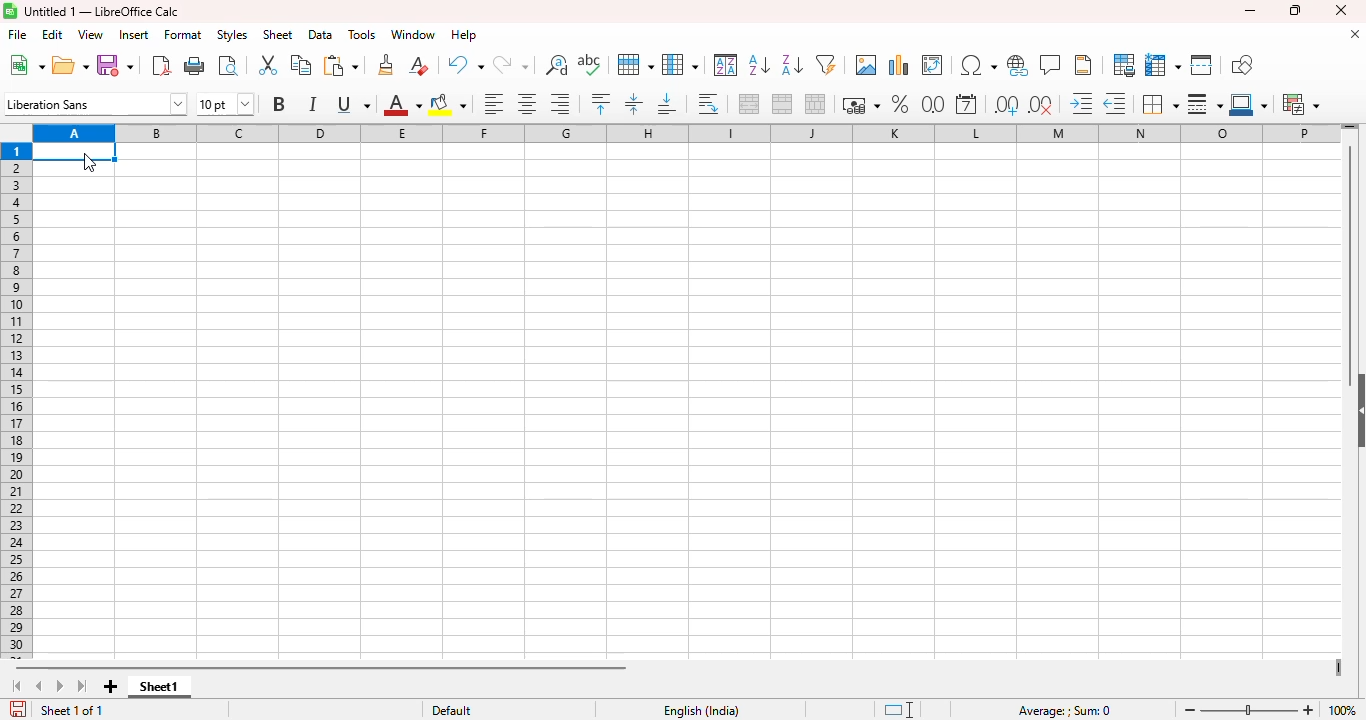 Image resolution: width=1366 pixels, height=720 pixels. What do you see at coordinates (1051, 64) in the screenshot?
I see `insert comment` at bounding box center [1051, 64].